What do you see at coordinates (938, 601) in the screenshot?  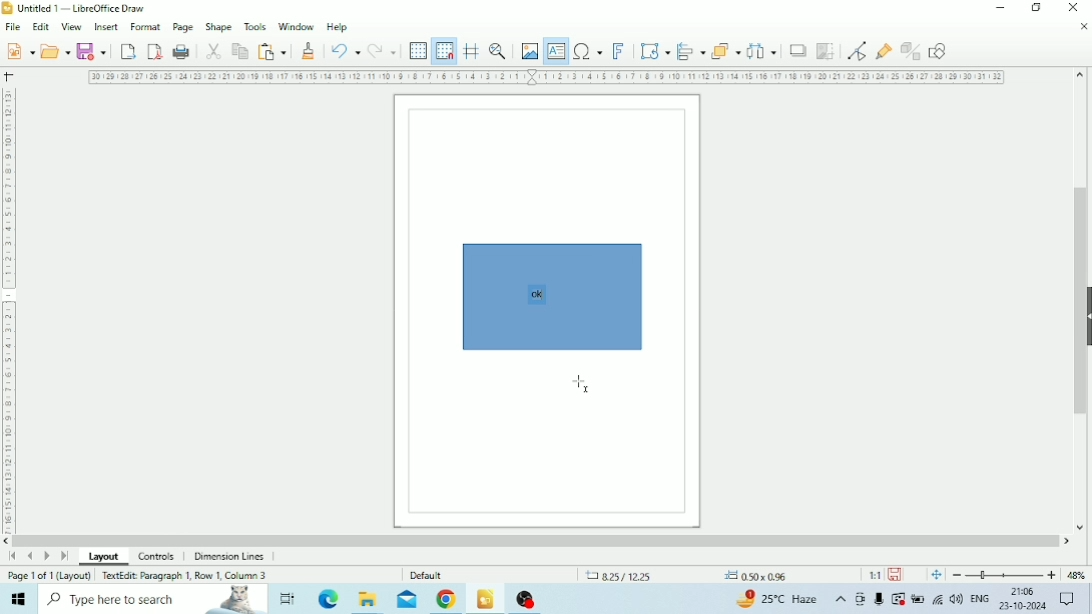 I see `Internet` at bounding box center [938, 601].